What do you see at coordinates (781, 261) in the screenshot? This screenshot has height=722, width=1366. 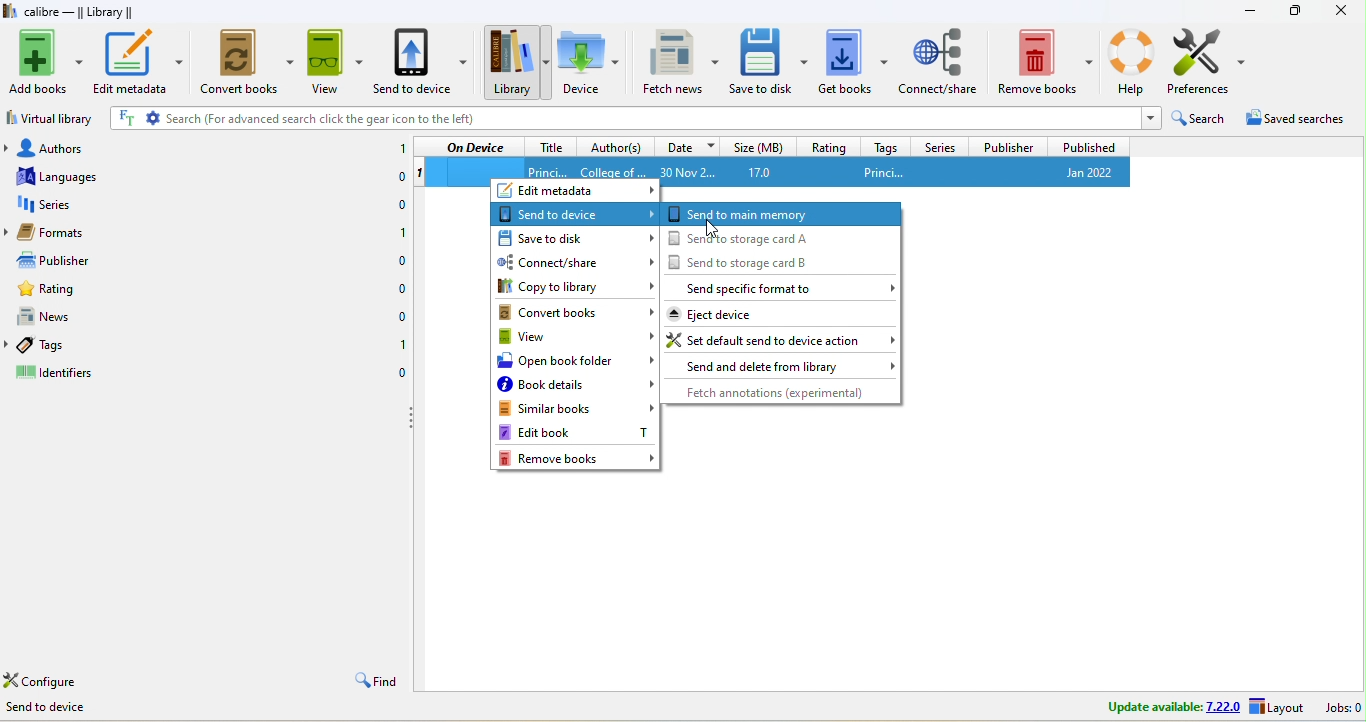 I see `send to storage card b` at bounding box center [781, 261].